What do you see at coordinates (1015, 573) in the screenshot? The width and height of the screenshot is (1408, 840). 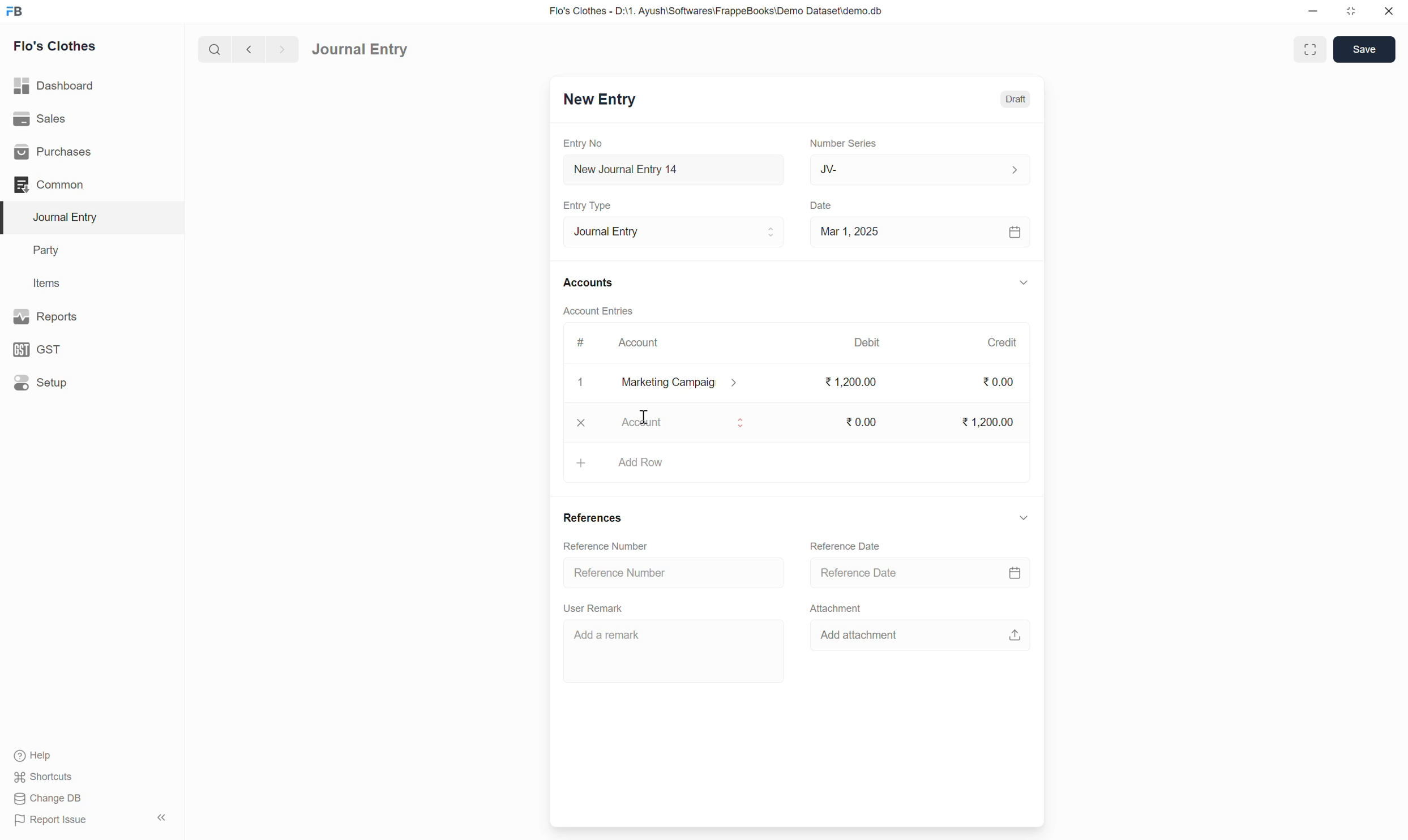 I see `calendar` at bounding box center [1015, 573].